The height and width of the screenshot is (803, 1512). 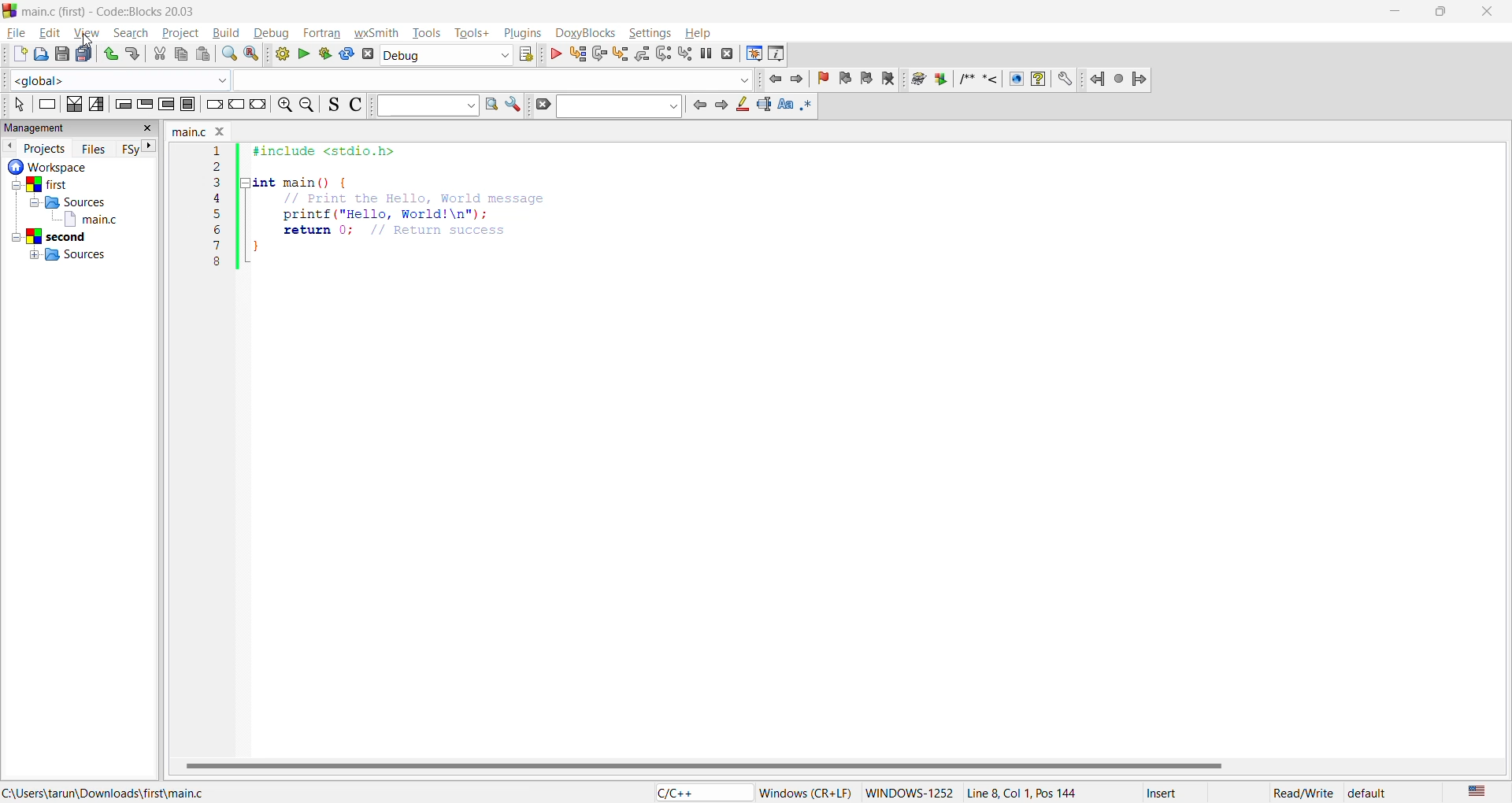 I want to click on abort, so click(x=367, y=54).